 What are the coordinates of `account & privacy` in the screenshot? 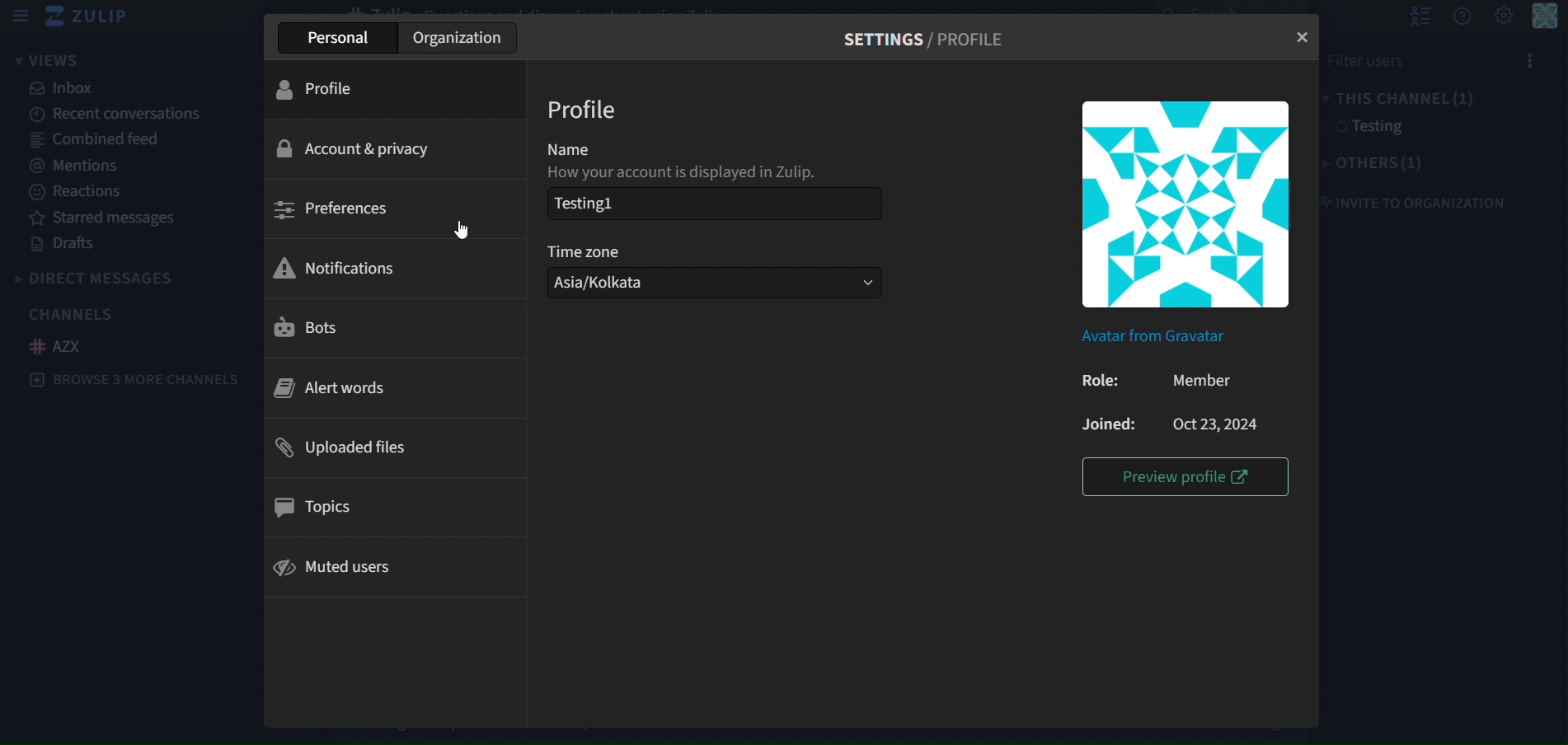 It's located at (358, 147).